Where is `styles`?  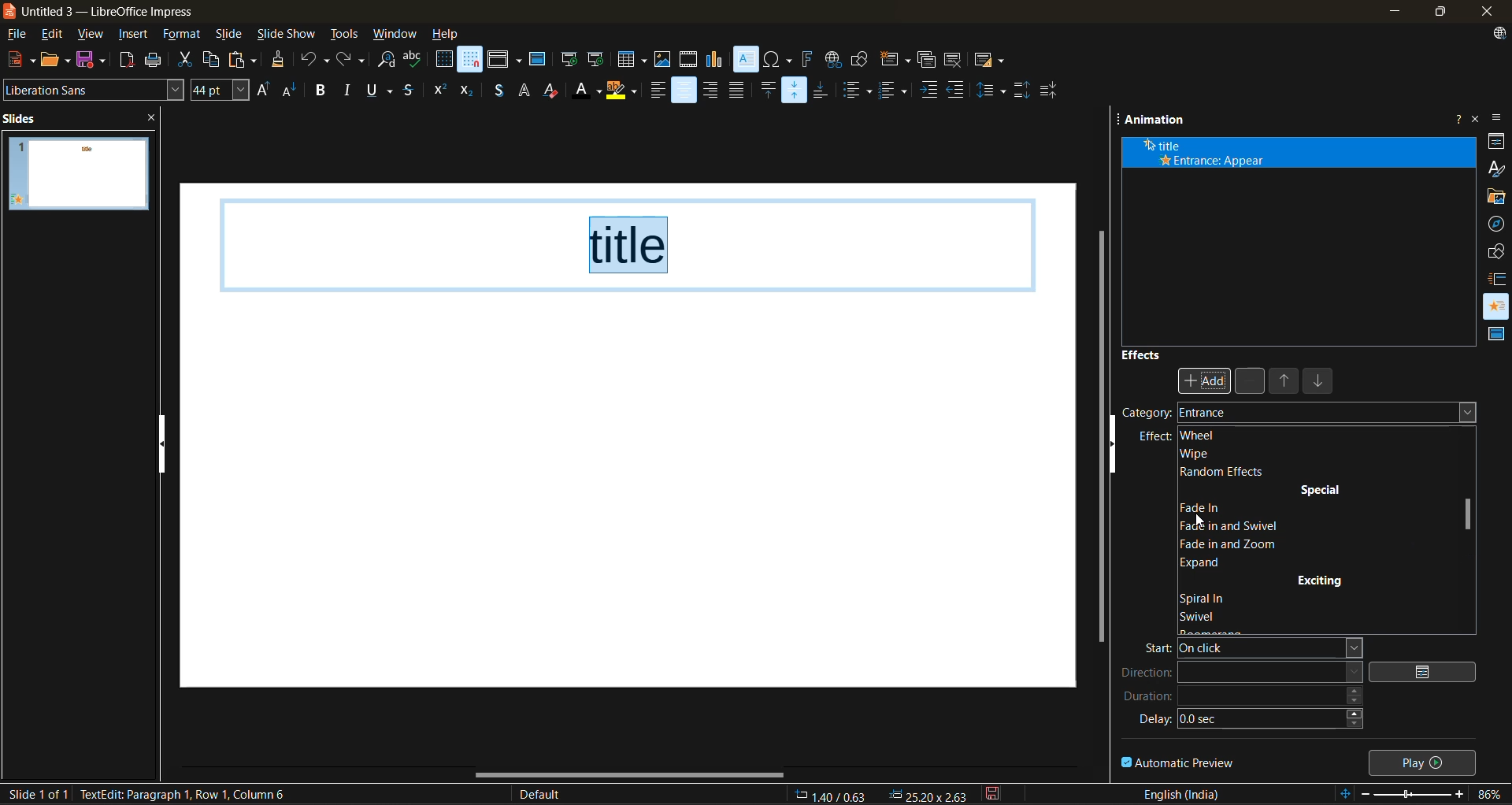
styles is located at coordinates (1497, 167).